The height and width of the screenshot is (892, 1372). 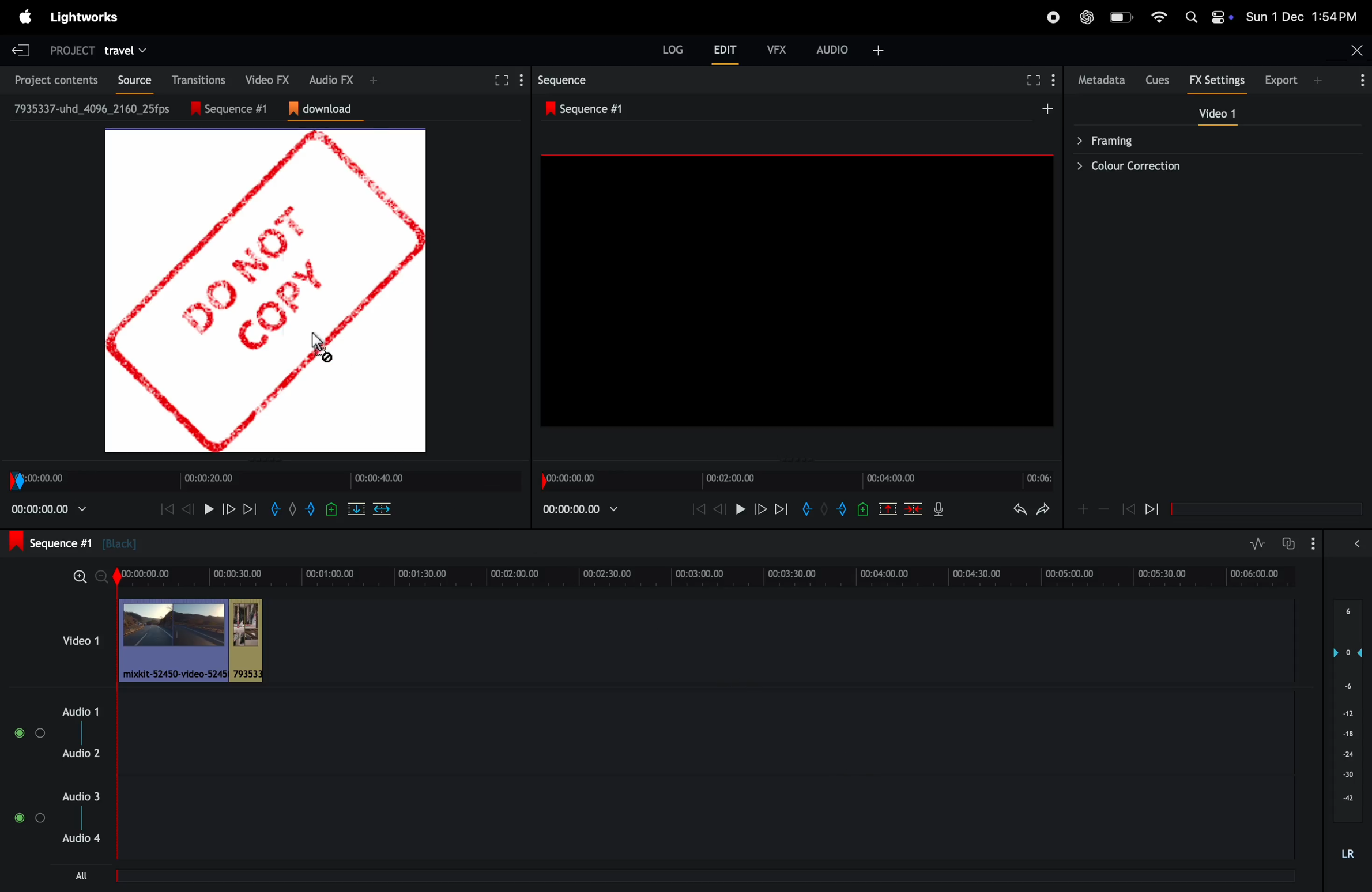 I want to click on rewind, so click(x=913, y=508).